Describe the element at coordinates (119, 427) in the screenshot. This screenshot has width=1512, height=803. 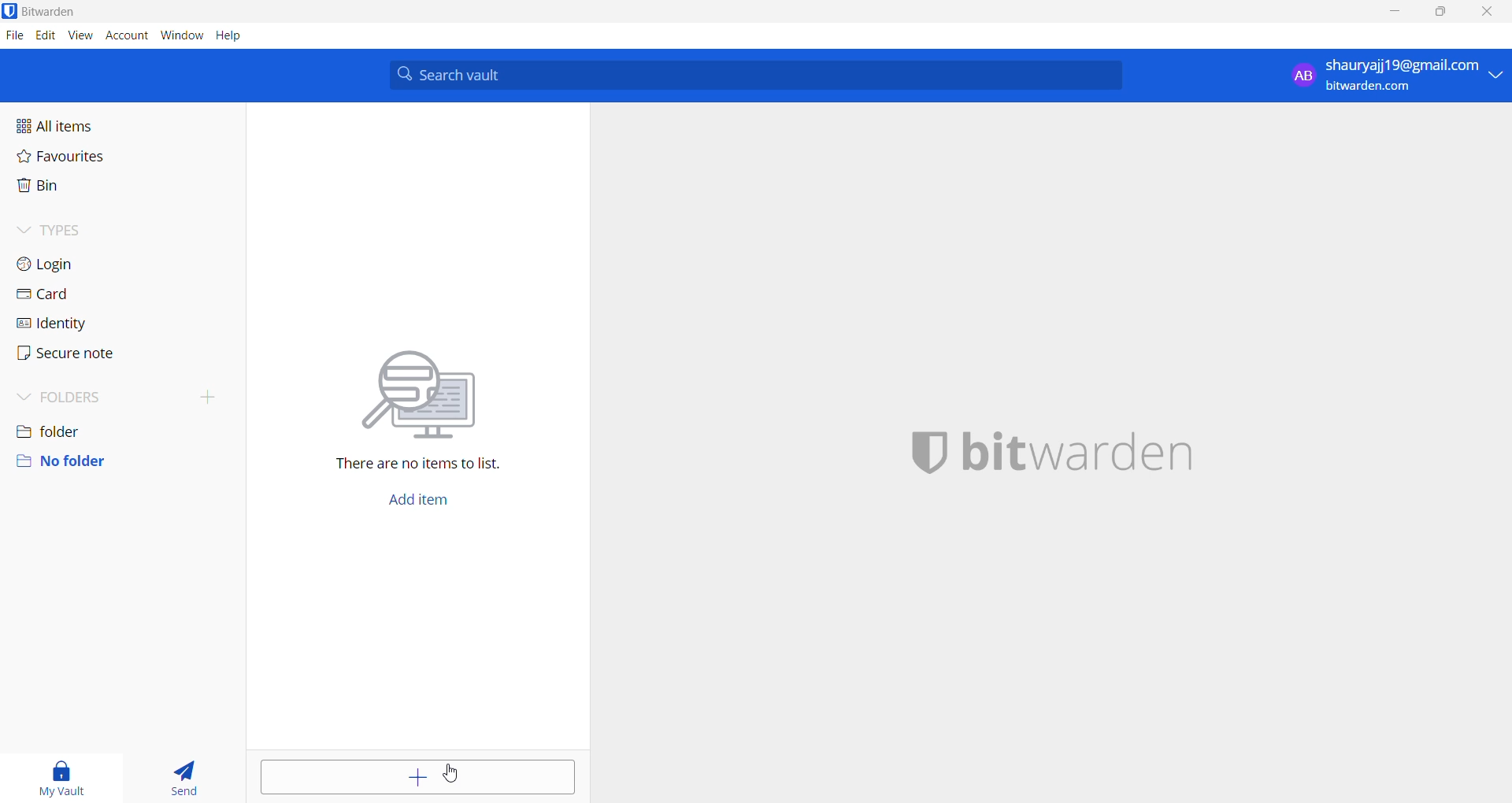
I see `folder` at that location.